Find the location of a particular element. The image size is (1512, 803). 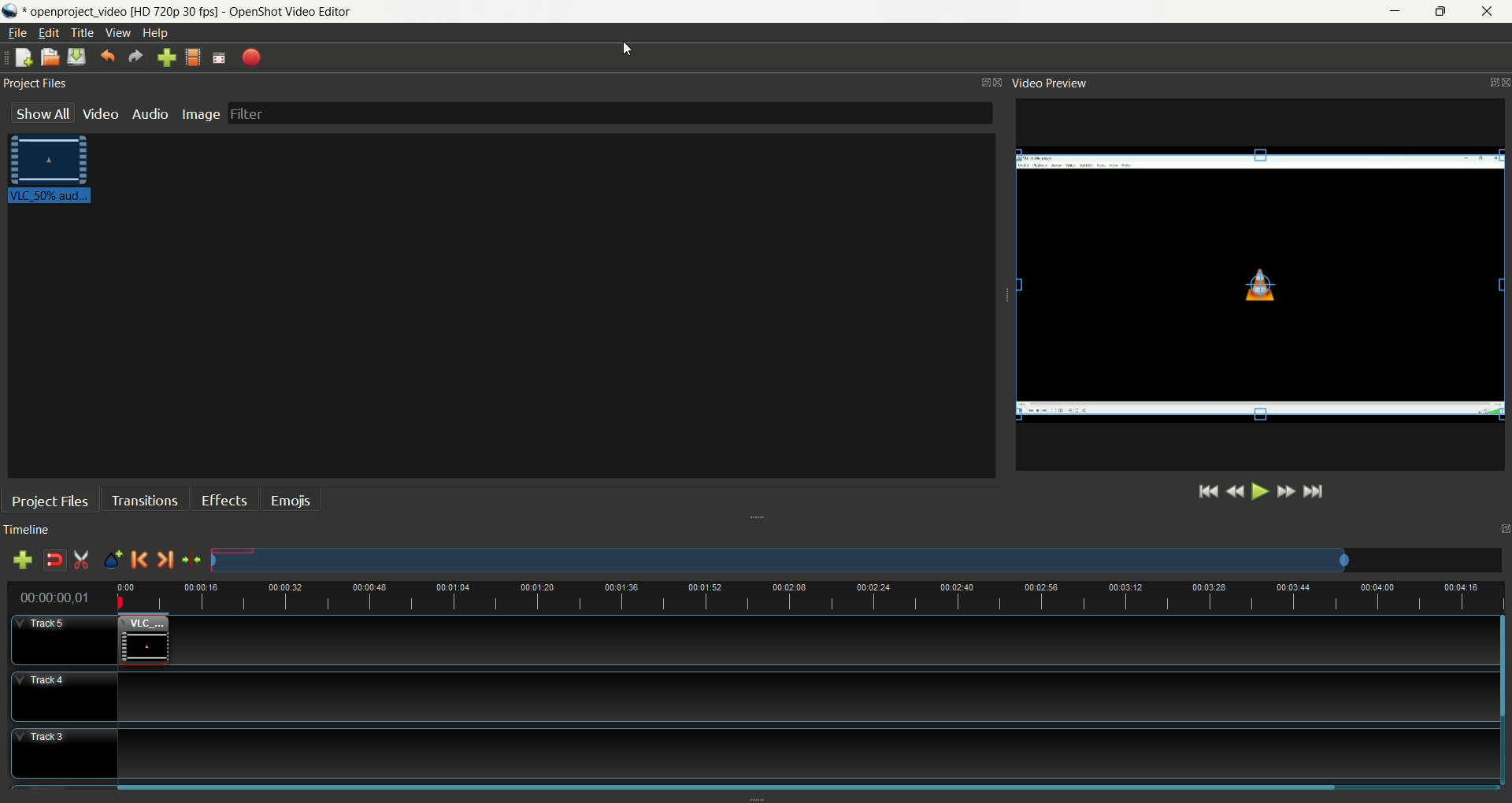

time is located at coordinates (60, 597).